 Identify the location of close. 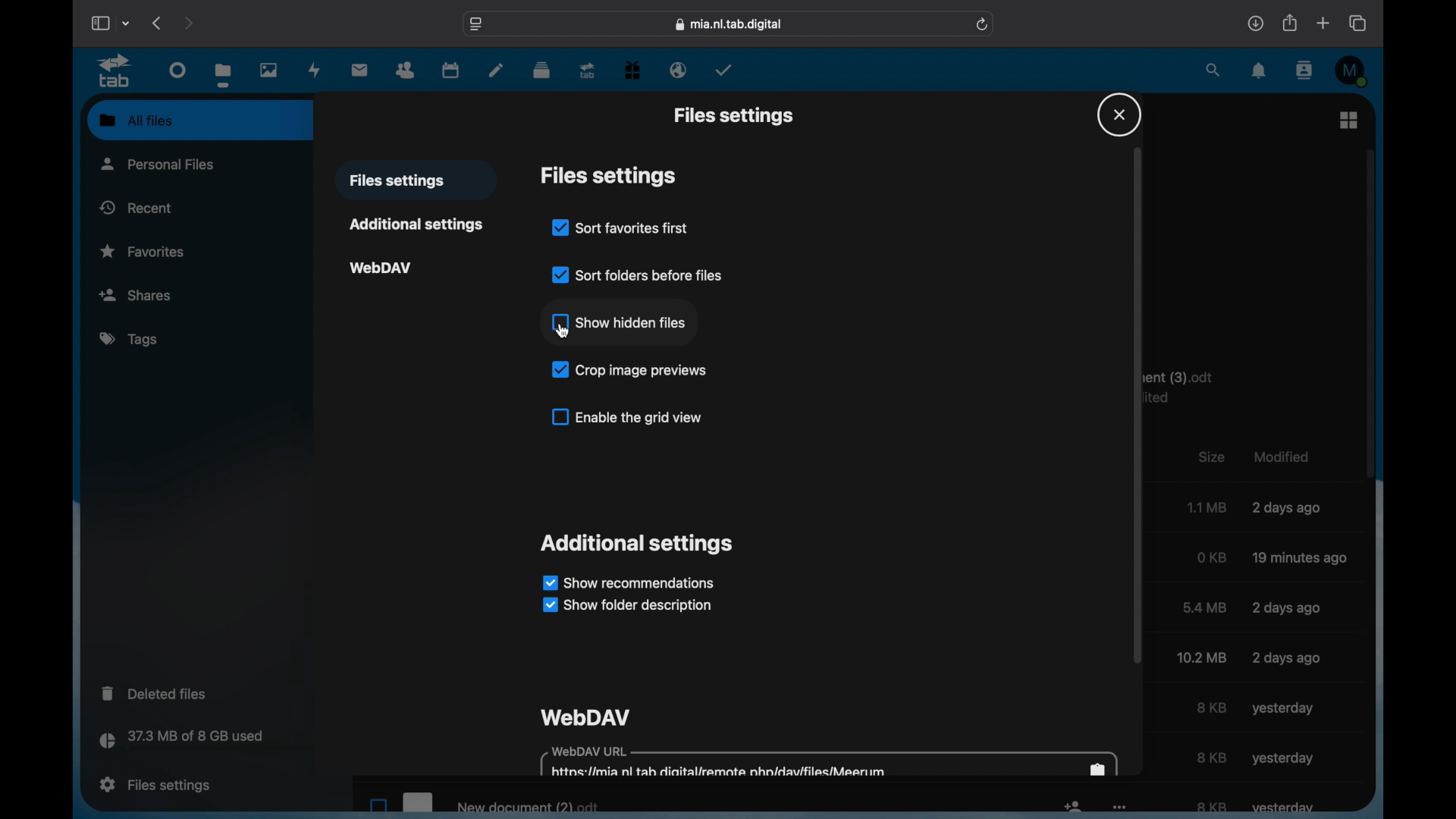
(1119, 115).